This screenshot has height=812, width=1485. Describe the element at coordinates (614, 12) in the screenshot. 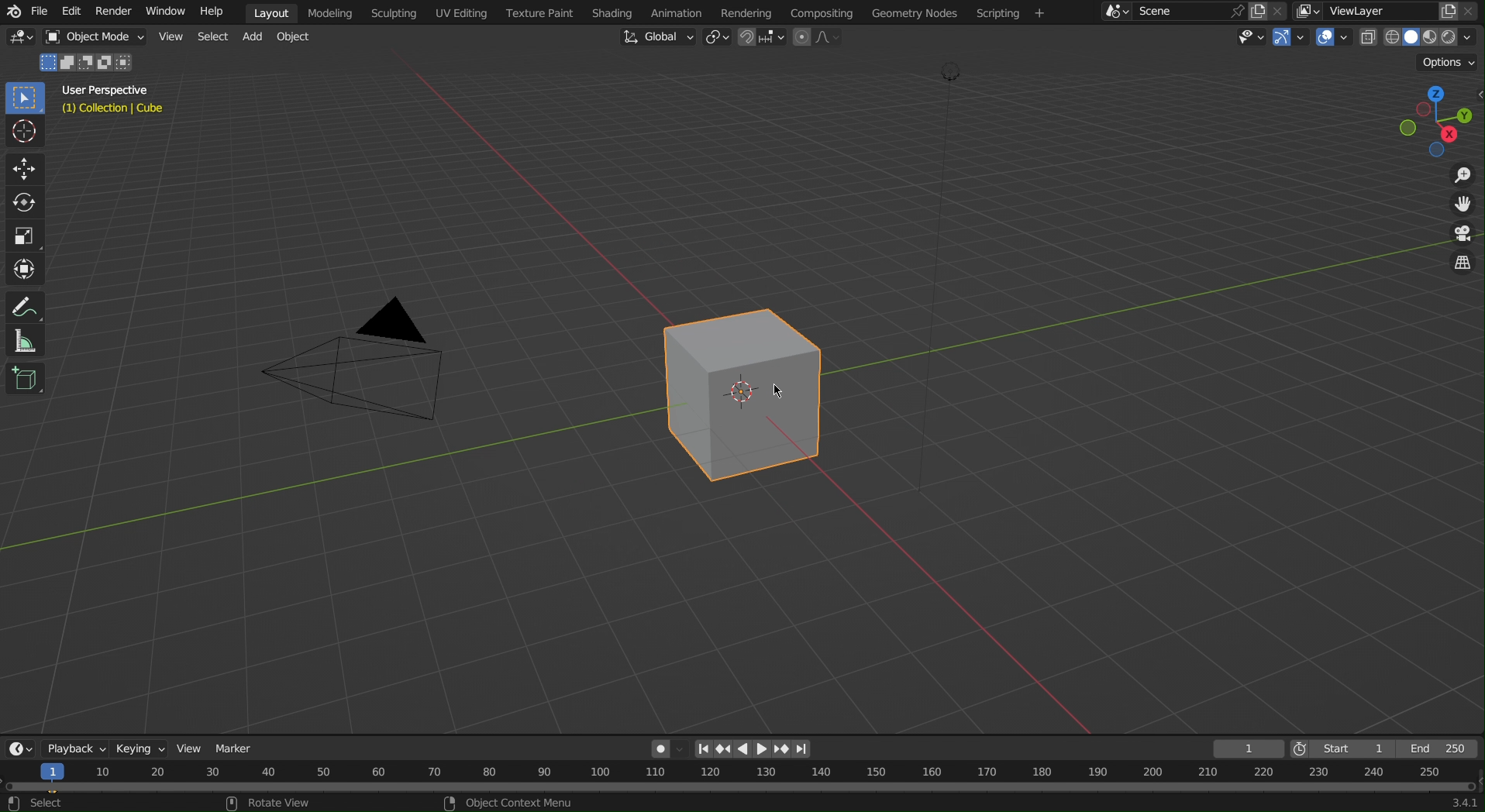

I see `Shading` at that location.